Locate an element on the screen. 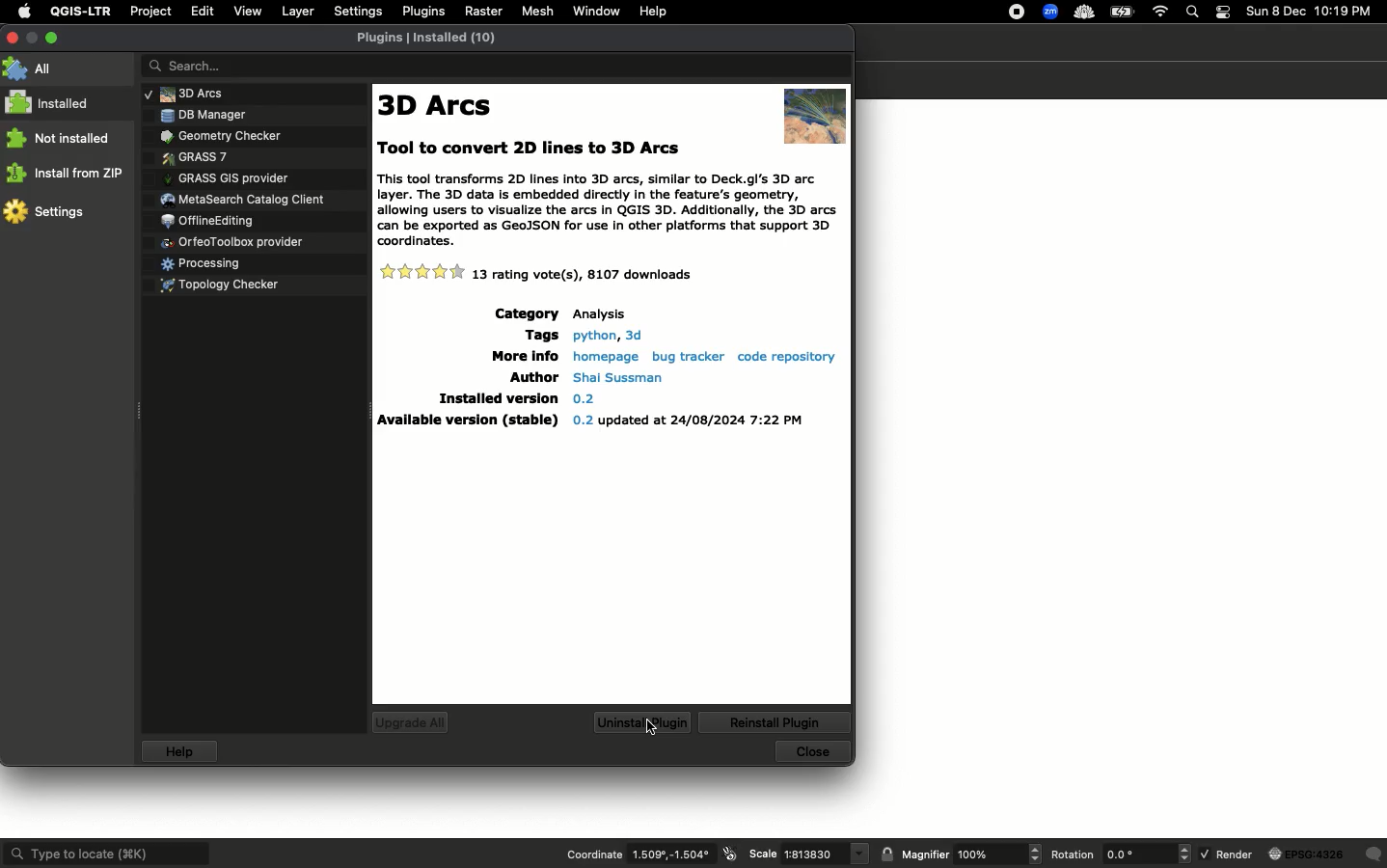  Project is located at coordinates (150, 11).